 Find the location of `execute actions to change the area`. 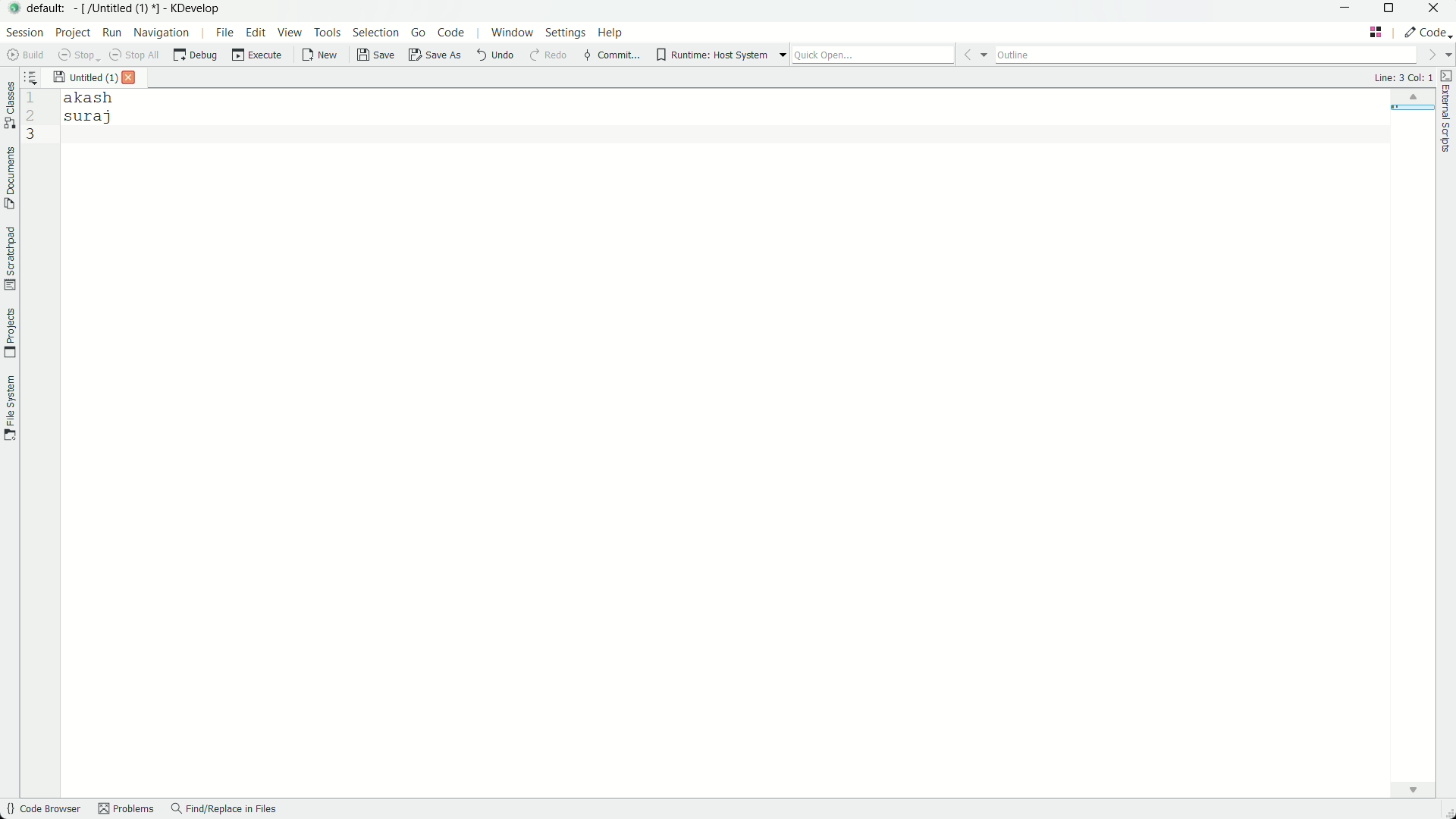

execute actions to change the area is located at coordinates (1428, 32).